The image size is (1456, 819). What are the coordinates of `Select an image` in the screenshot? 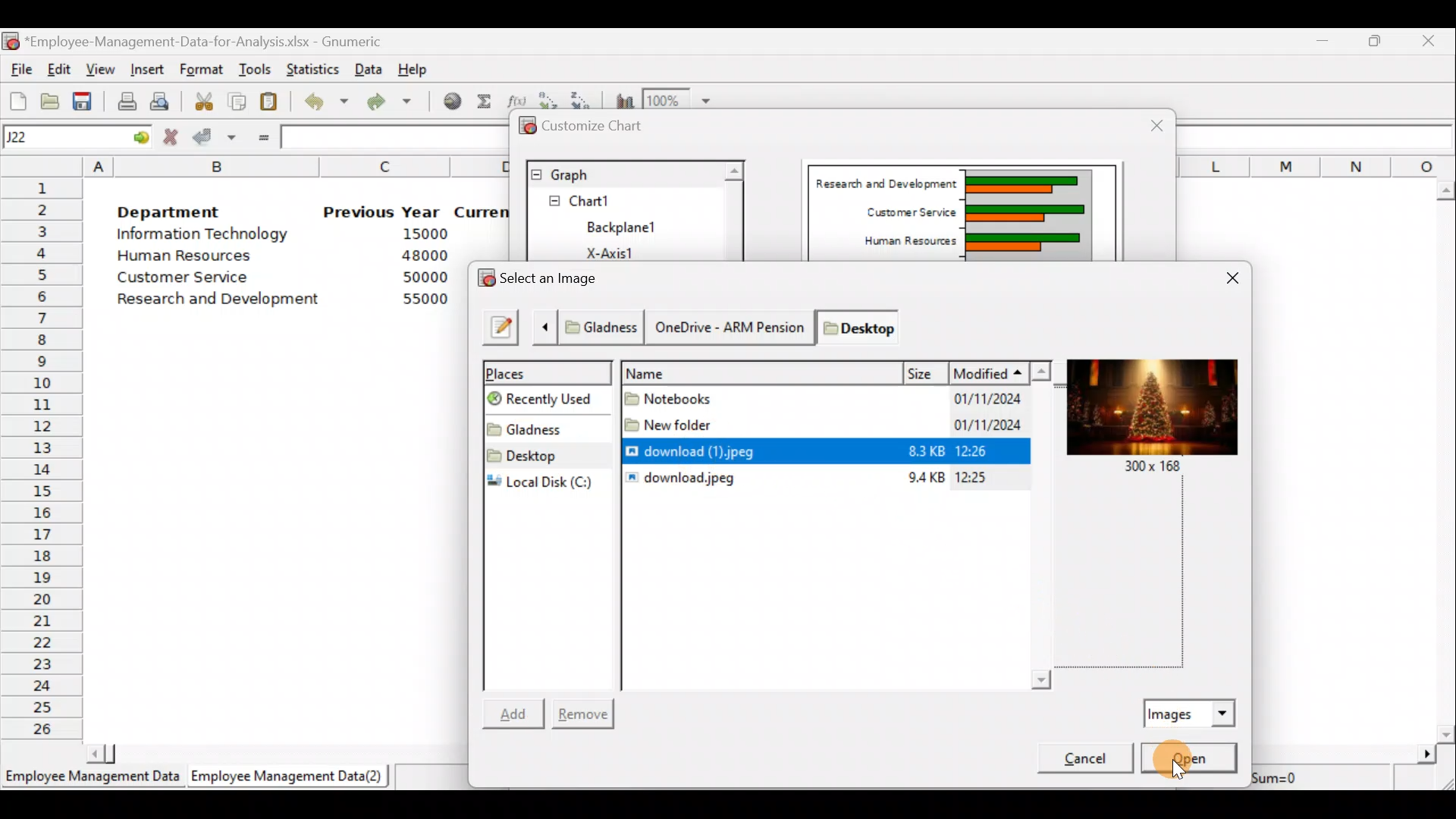 It's located at (544, 278).